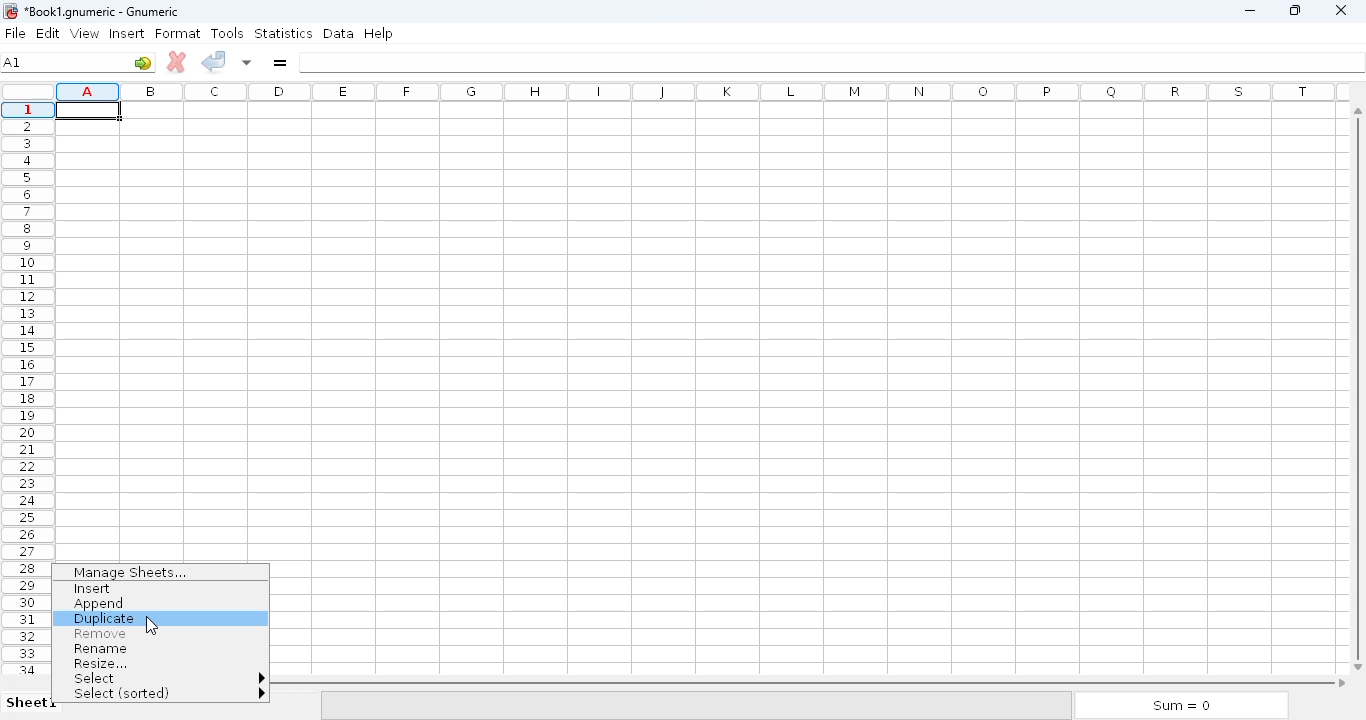 This screenshot has height=720, width=1366. What do you see at coordinates (94, 589) in the screenshot?
I see `insert` at bounding box center [94, 589].